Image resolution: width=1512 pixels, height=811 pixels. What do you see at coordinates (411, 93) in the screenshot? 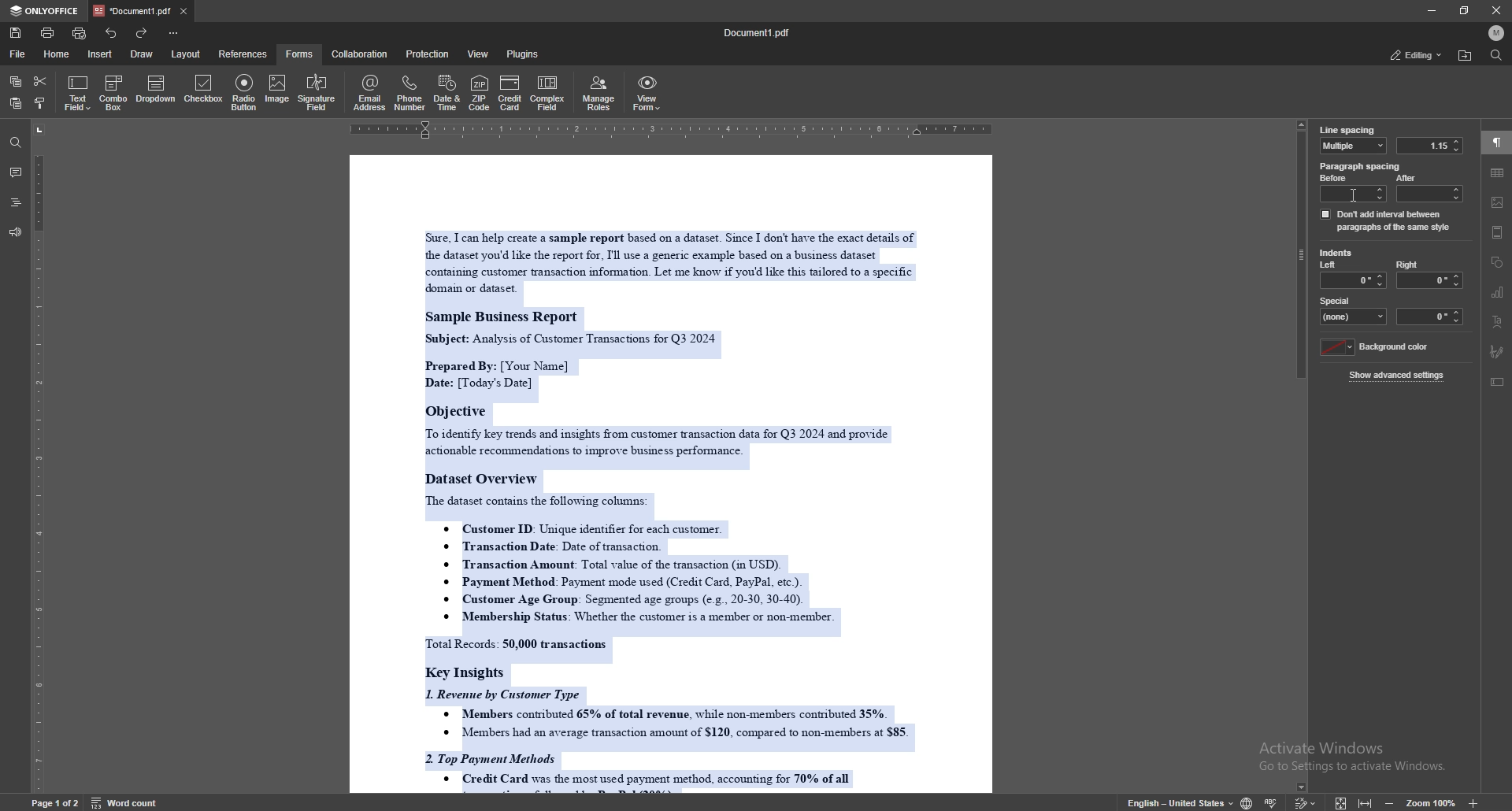
I see `phone number` at bounding box center [411, 93].